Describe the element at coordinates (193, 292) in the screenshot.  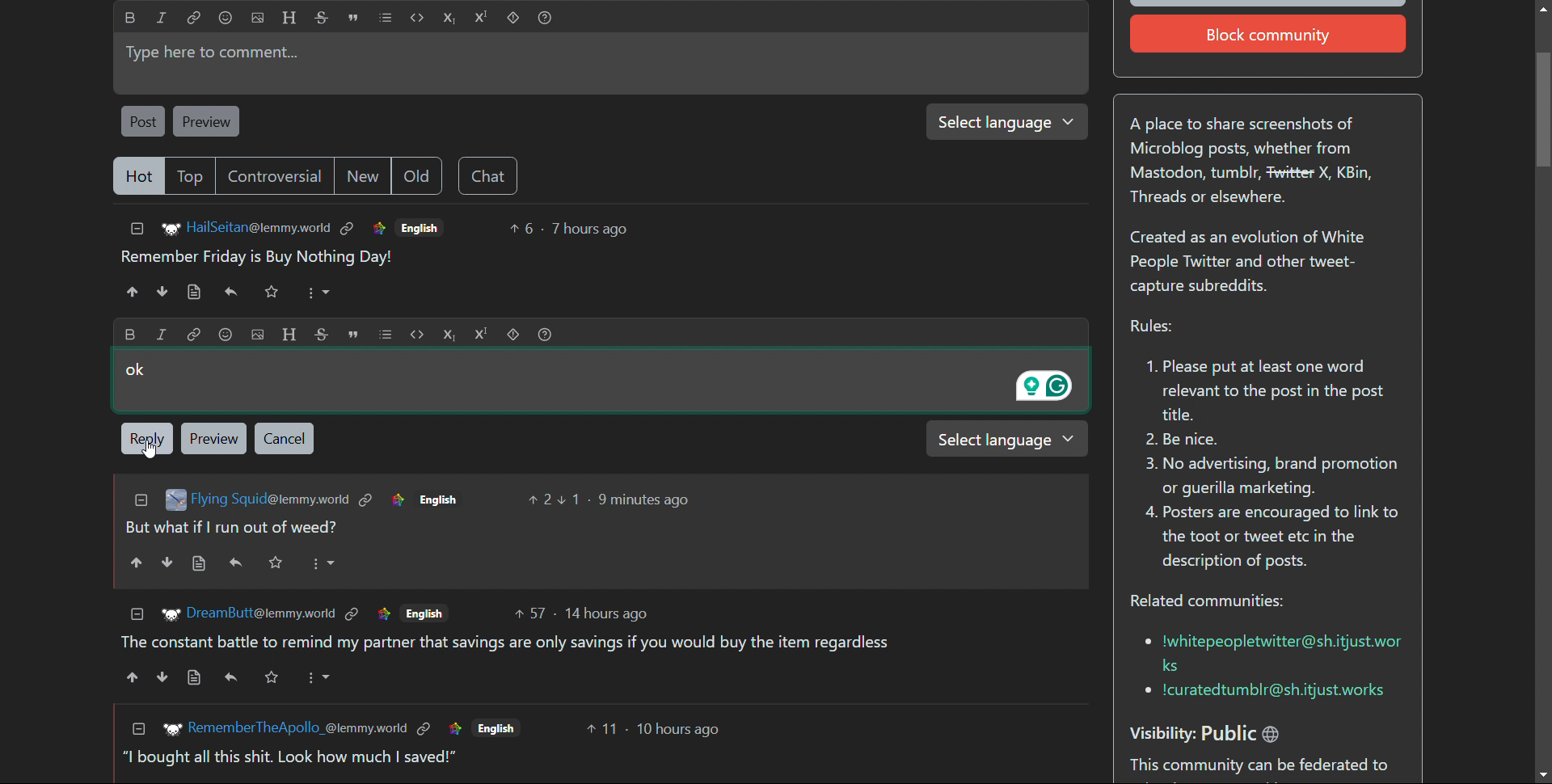
I see `view source` at that location.